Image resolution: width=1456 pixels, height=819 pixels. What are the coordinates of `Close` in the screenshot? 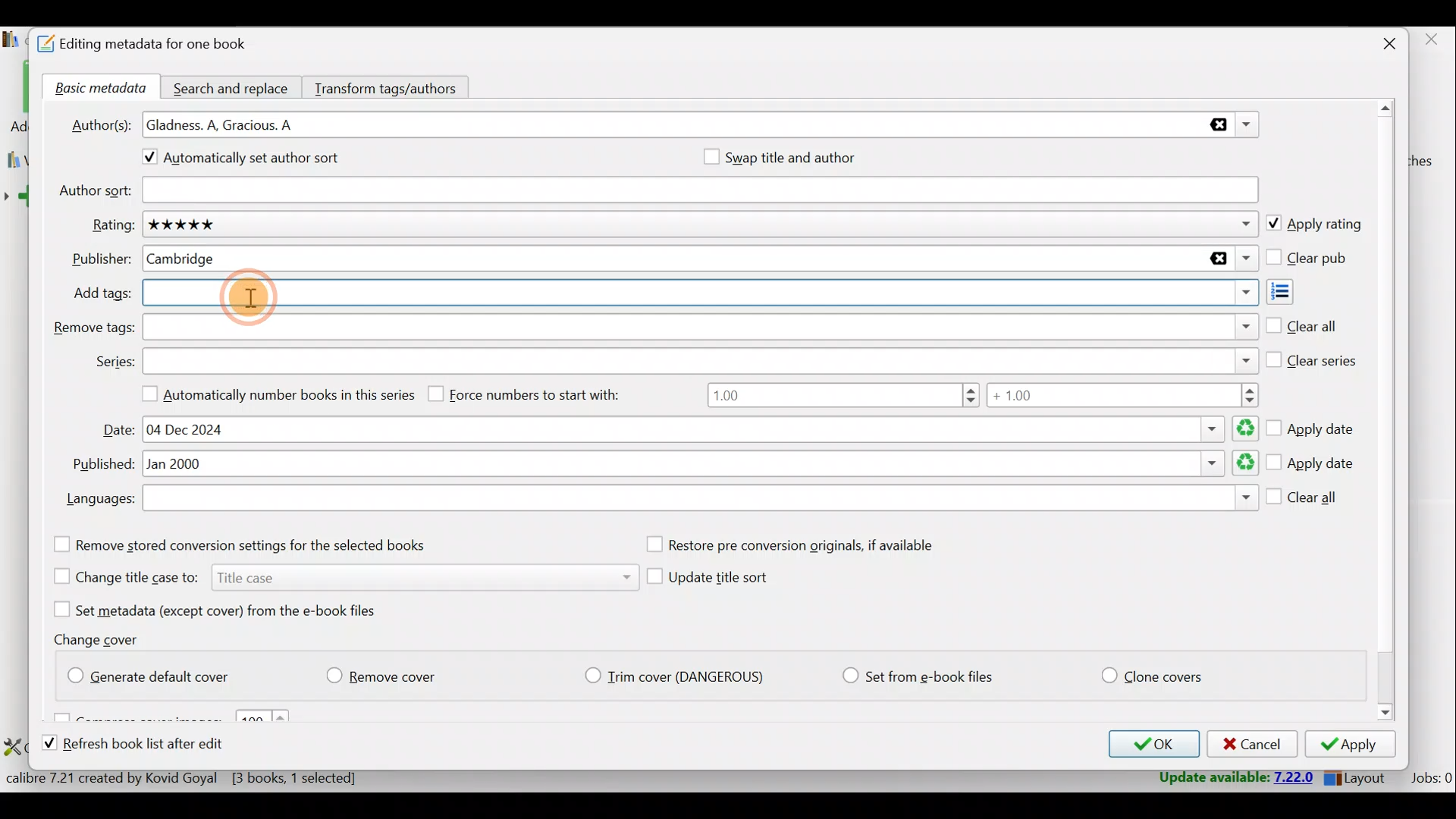 It's located at (1382, 45).